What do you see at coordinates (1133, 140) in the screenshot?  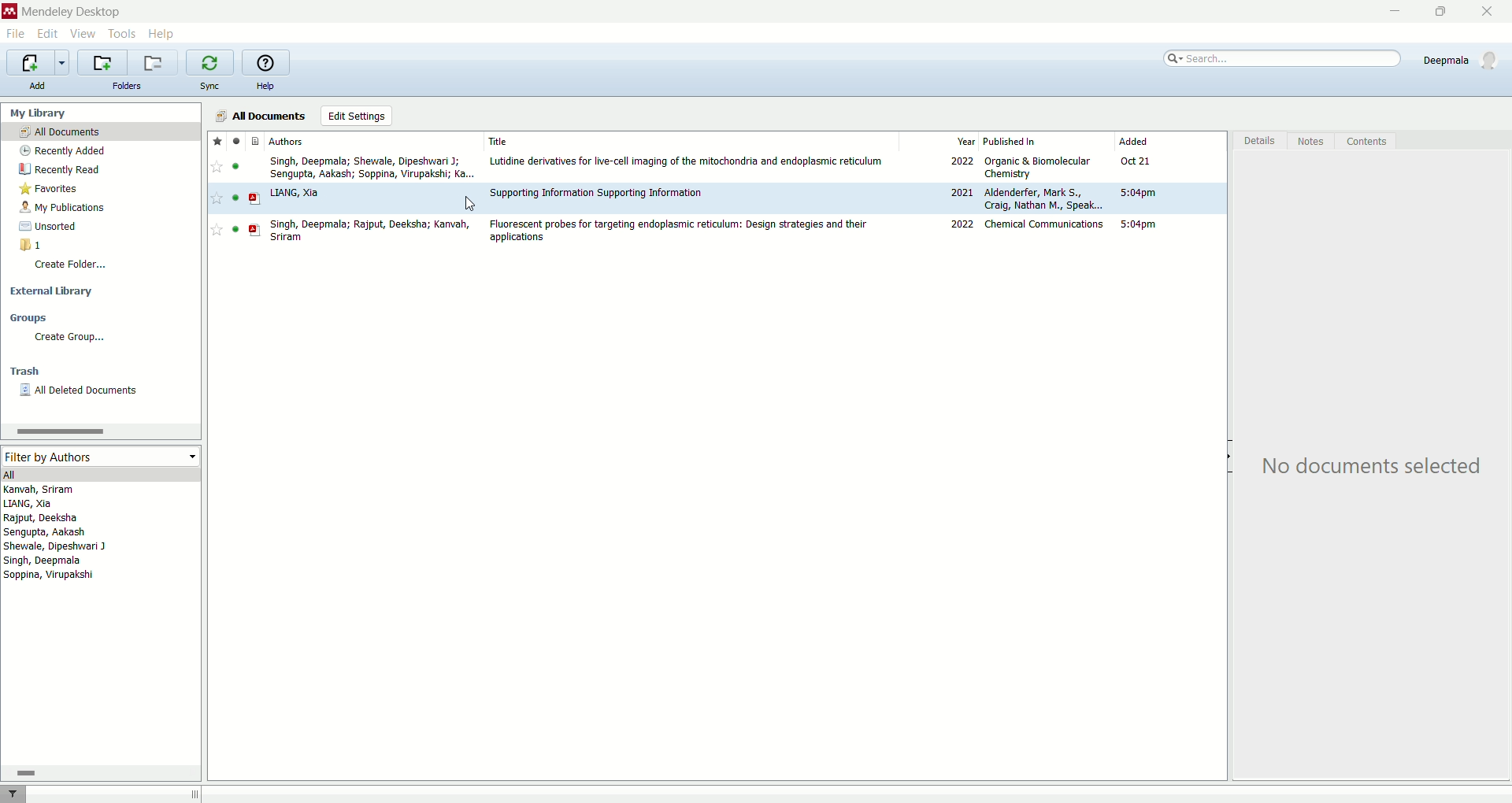 I see `added` at bounding box center [1133, 140].